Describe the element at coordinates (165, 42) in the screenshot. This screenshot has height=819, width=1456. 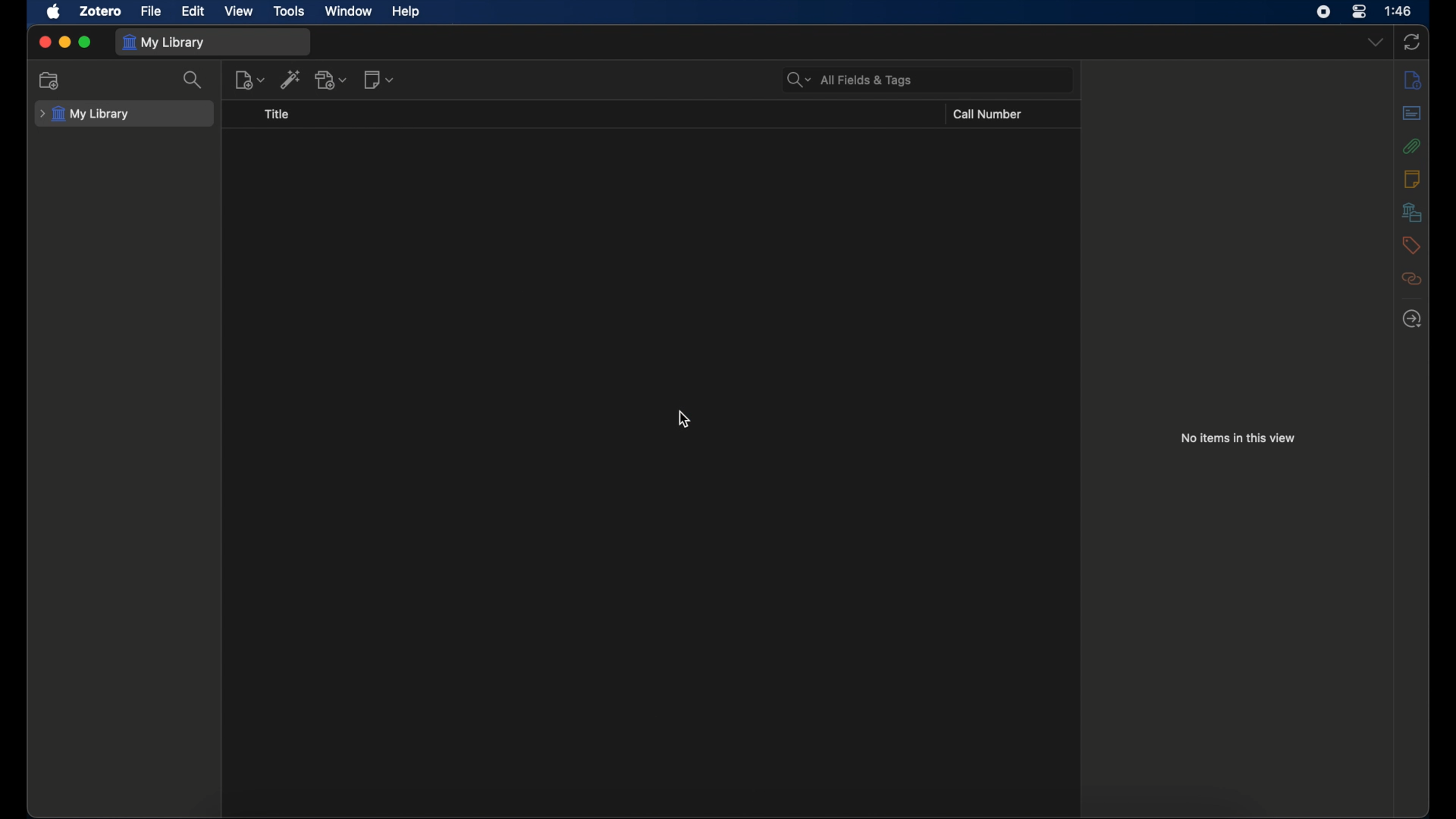
I see `my library` at that location.